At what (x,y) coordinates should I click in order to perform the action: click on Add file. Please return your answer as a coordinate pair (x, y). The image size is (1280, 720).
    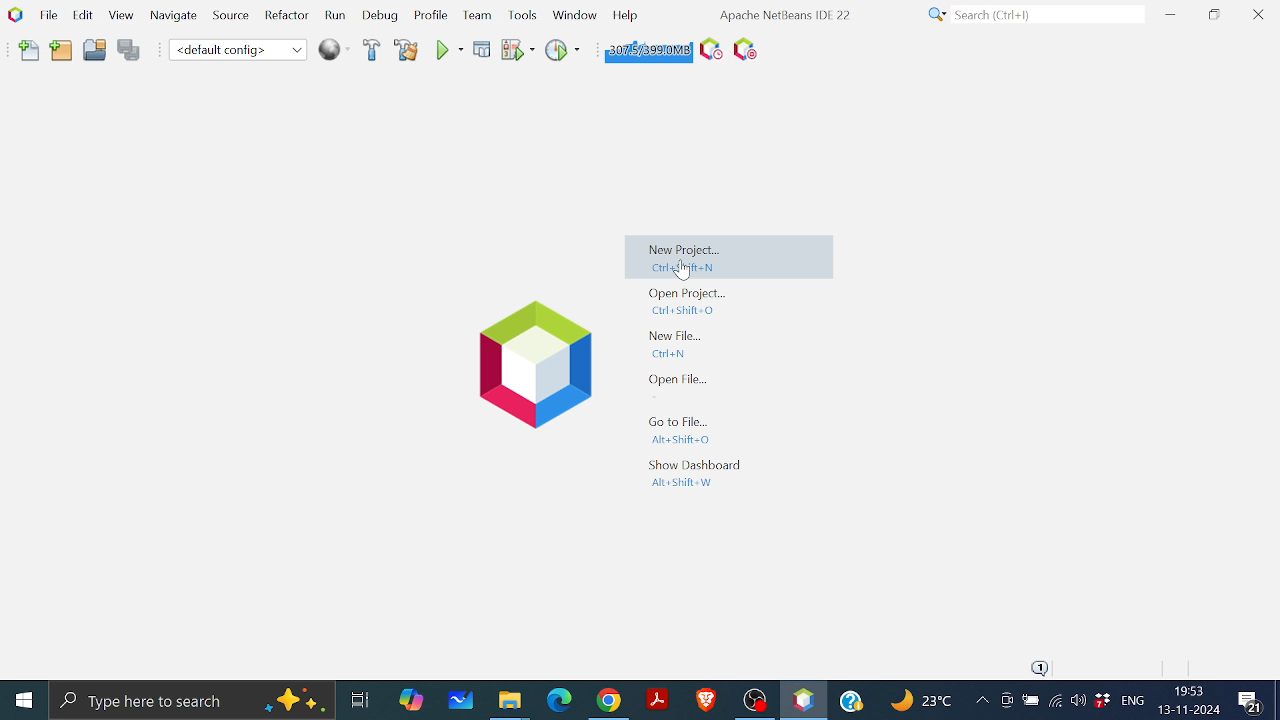
    Looking at the image, I should click on (30, 51).